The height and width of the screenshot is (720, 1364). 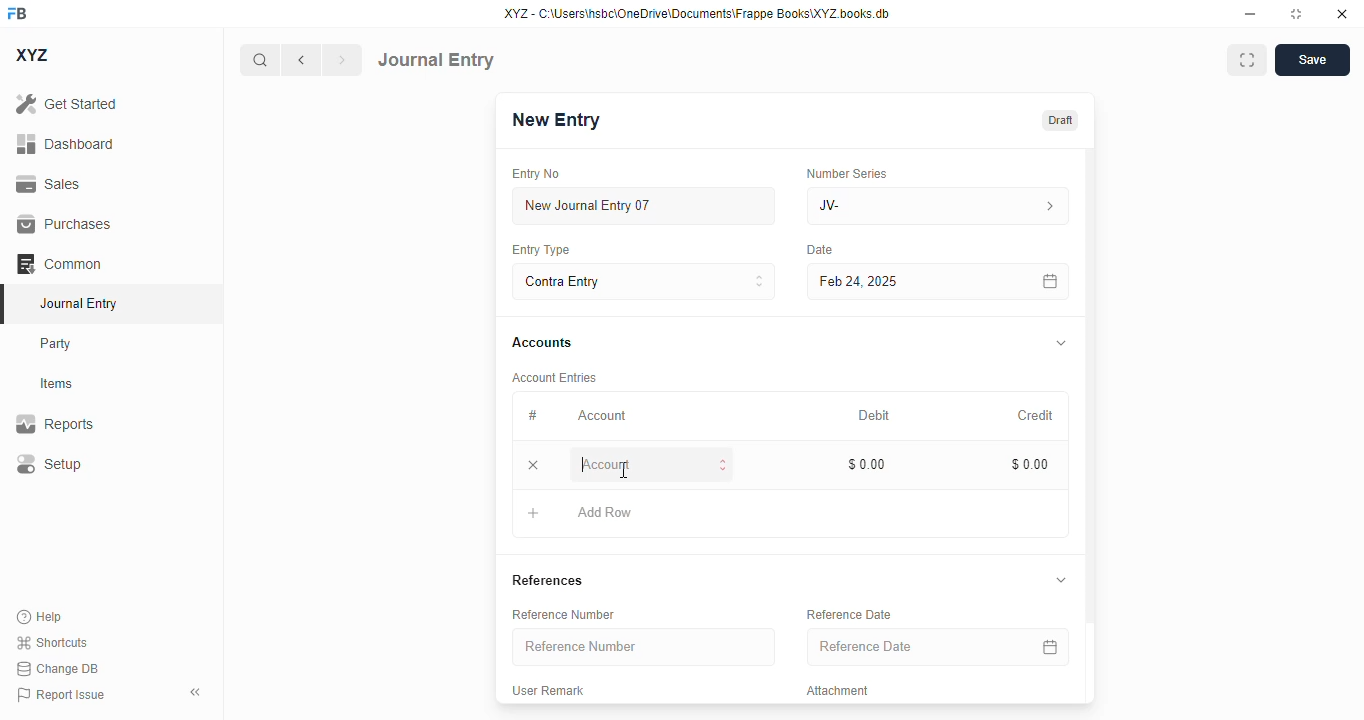 I want to click on maximise window, so click(x=1247, y=60).